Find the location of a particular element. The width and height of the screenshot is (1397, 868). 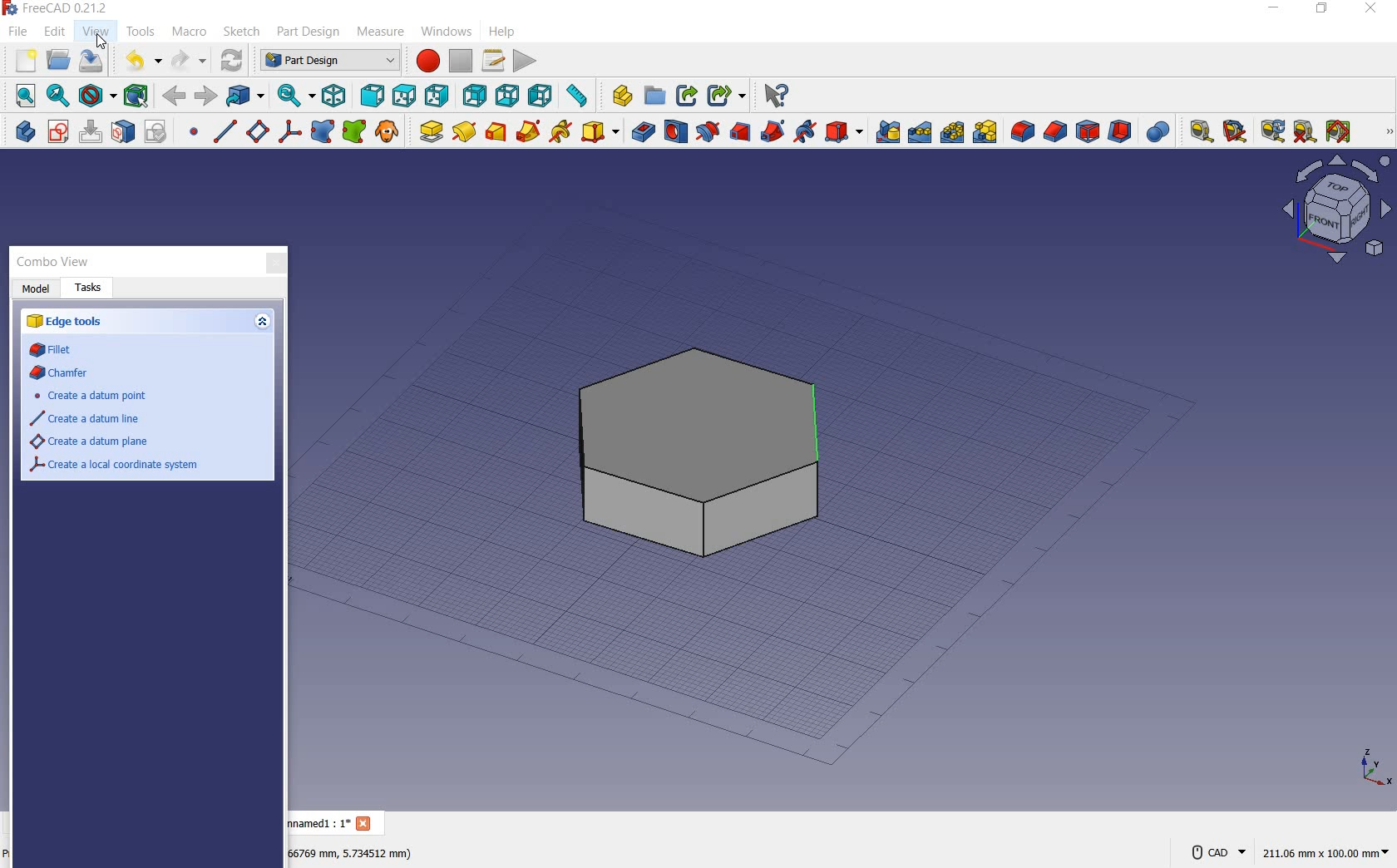

create a datum line is located at coordinates (223, 131).